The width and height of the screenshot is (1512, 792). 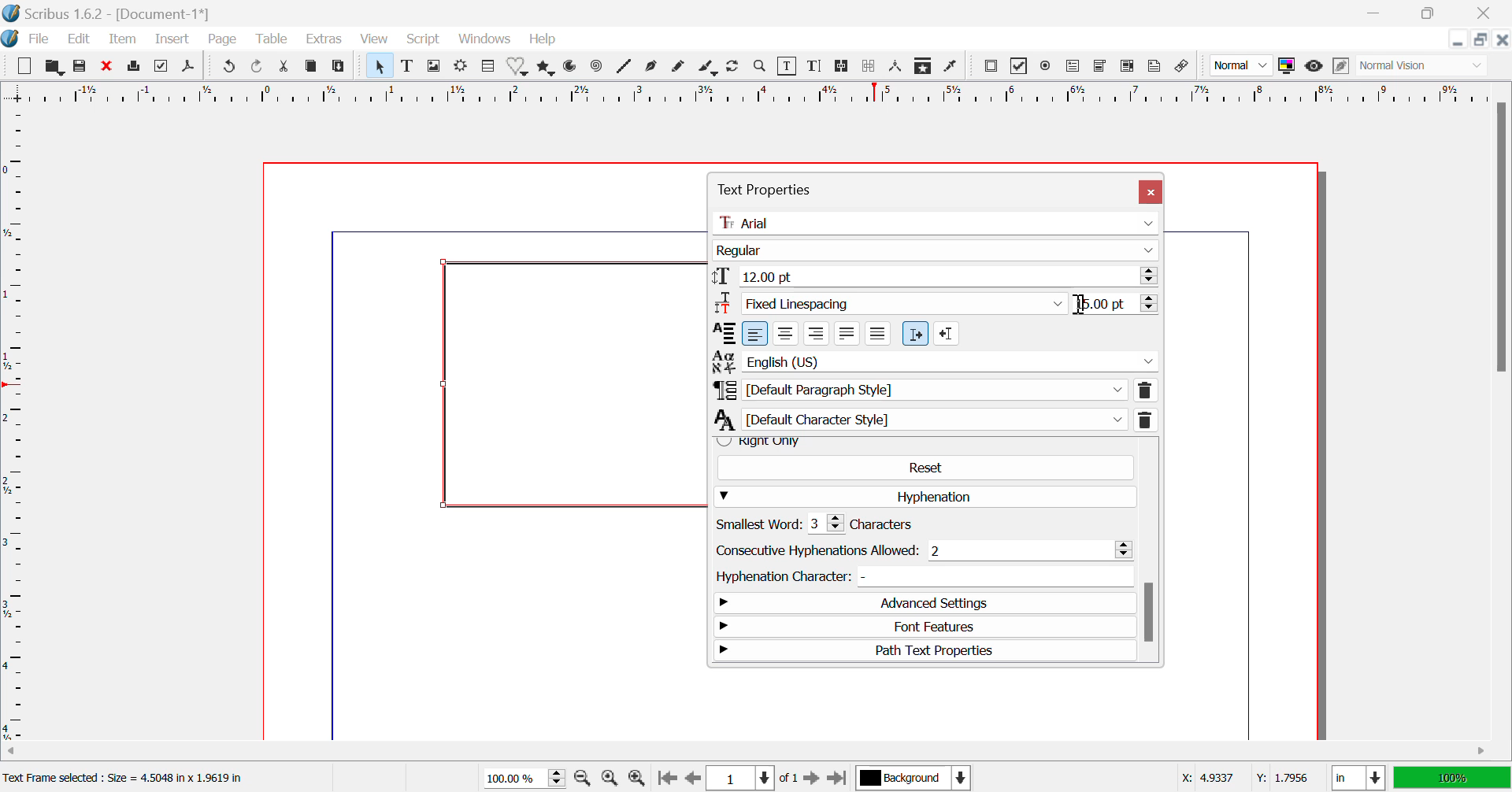 What do you see at coordinates (839, 68) in the screenshot?
I see `Link Text Frames` at bounding box center [839, 68].